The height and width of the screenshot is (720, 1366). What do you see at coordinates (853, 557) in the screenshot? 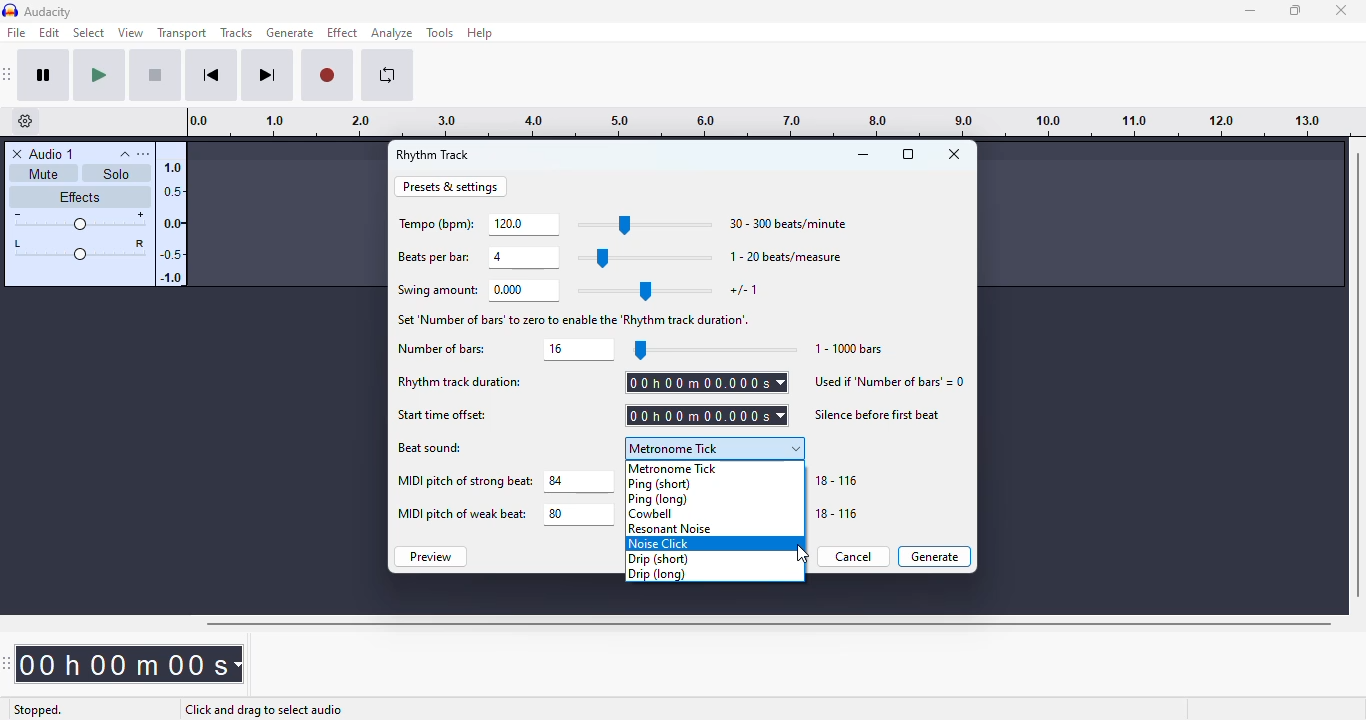
I see `cancel` at bounding box center [853, 557].